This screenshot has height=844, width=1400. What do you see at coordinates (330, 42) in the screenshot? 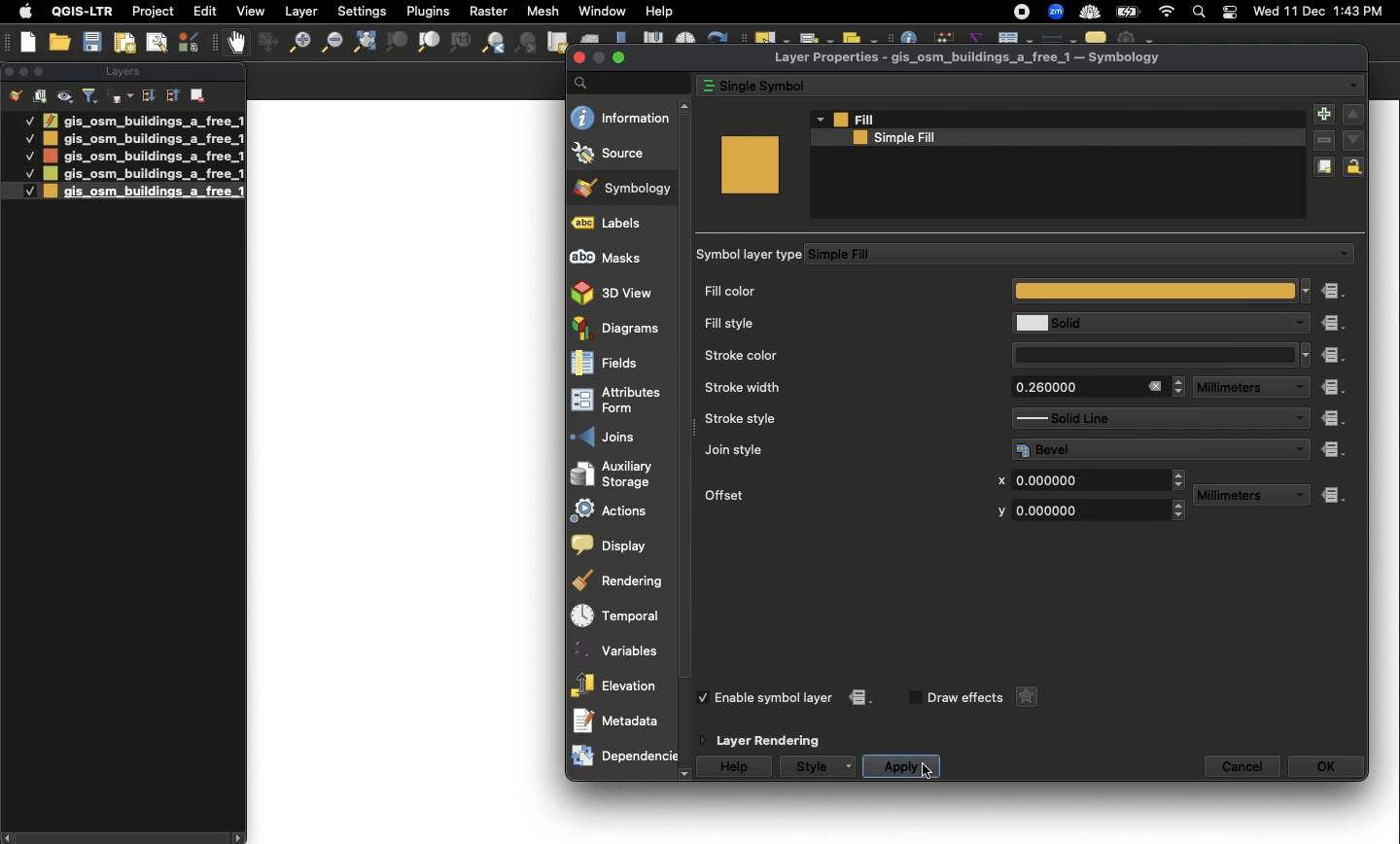
I see `Zoom out ` at bounding box center [330, 42].